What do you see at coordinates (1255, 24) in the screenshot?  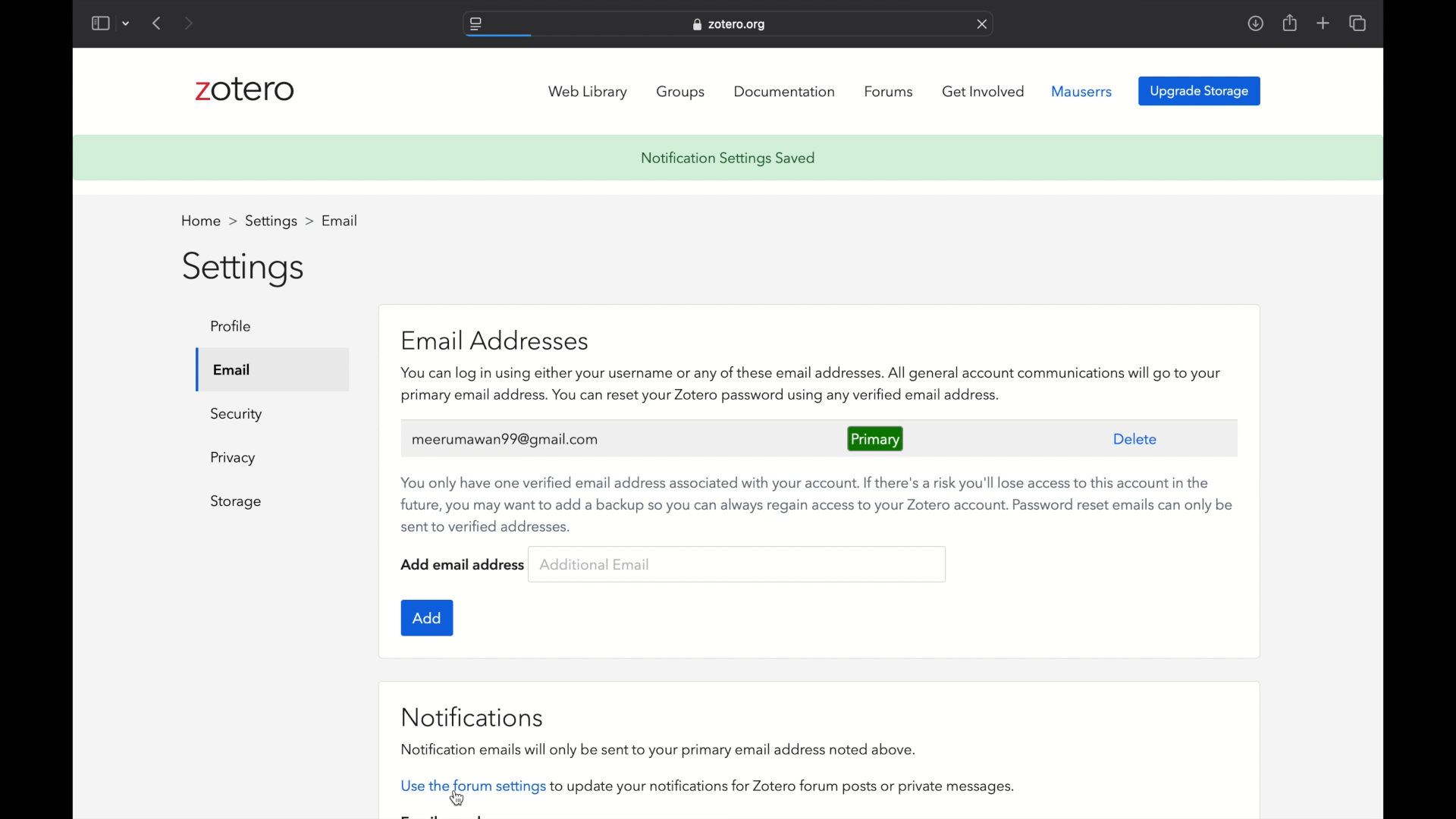 I see `downloads` at bounding box center [1255, 24].